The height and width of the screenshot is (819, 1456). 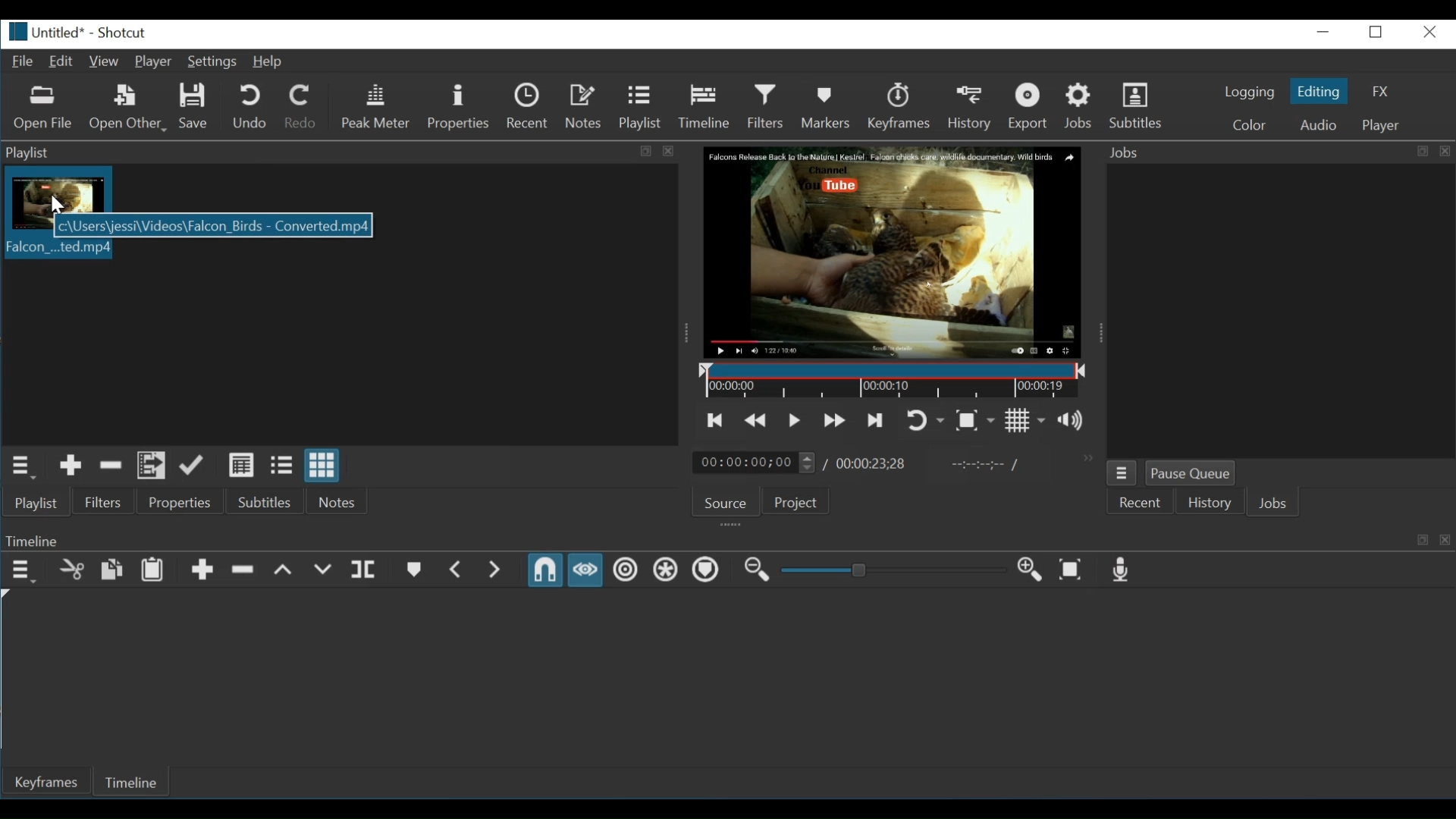 What do you see at coordinates (104, 502) in the screenshot?
I see `Filters` at bounding box center [104, 502].